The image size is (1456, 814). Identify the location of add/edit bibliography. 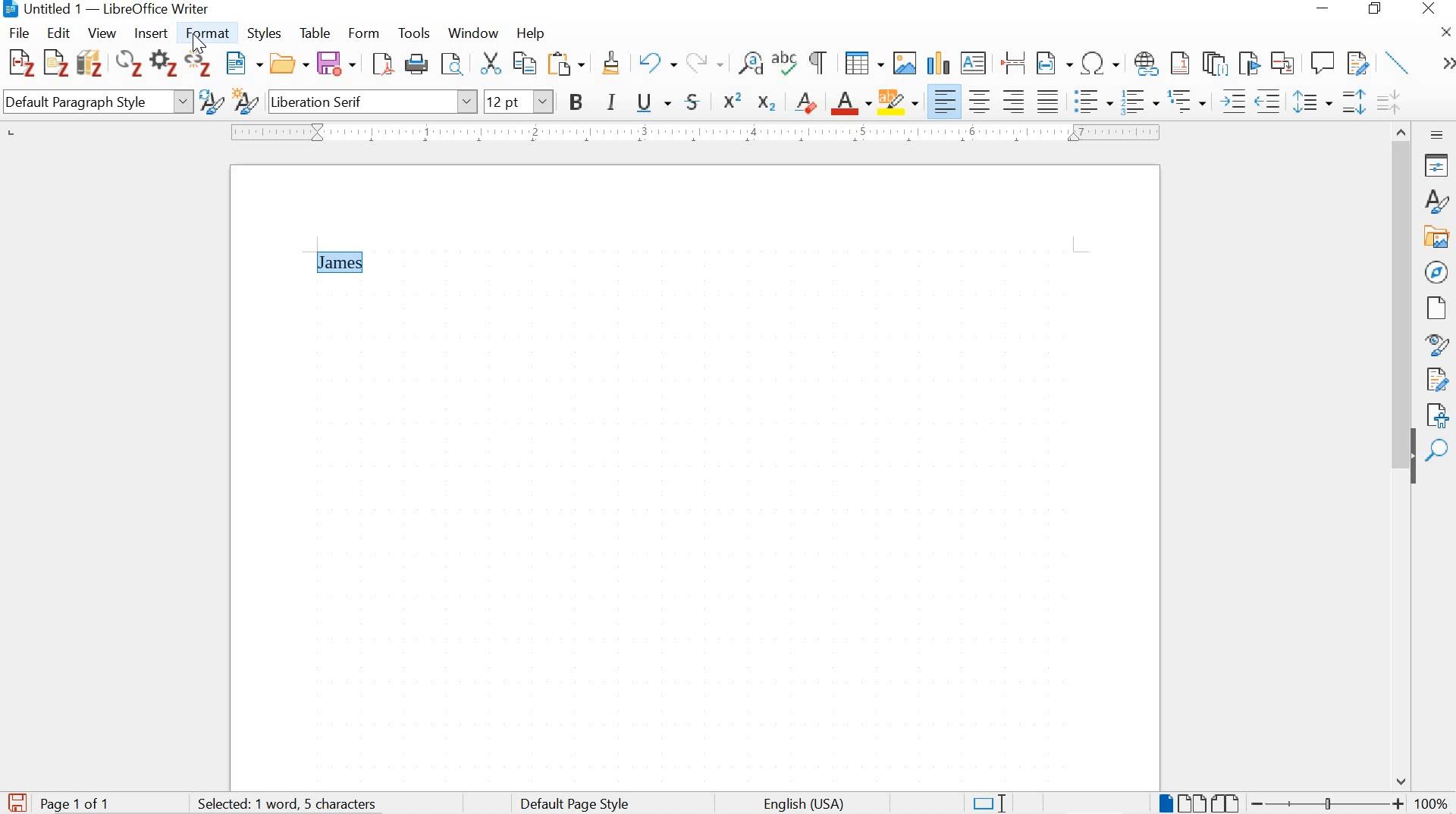
(89, 62).